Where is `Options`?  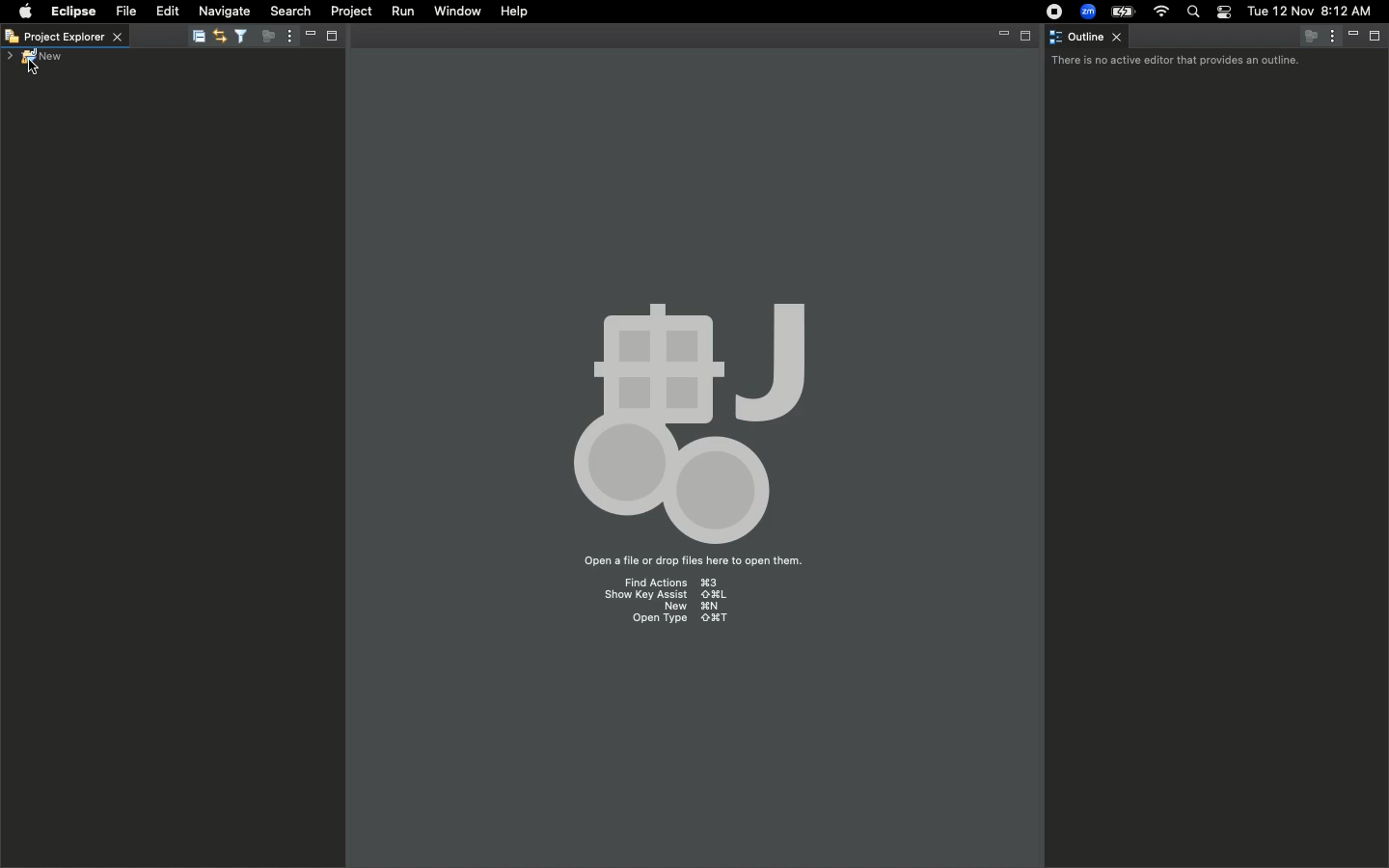 Options is located at coordinates (1335, 37).